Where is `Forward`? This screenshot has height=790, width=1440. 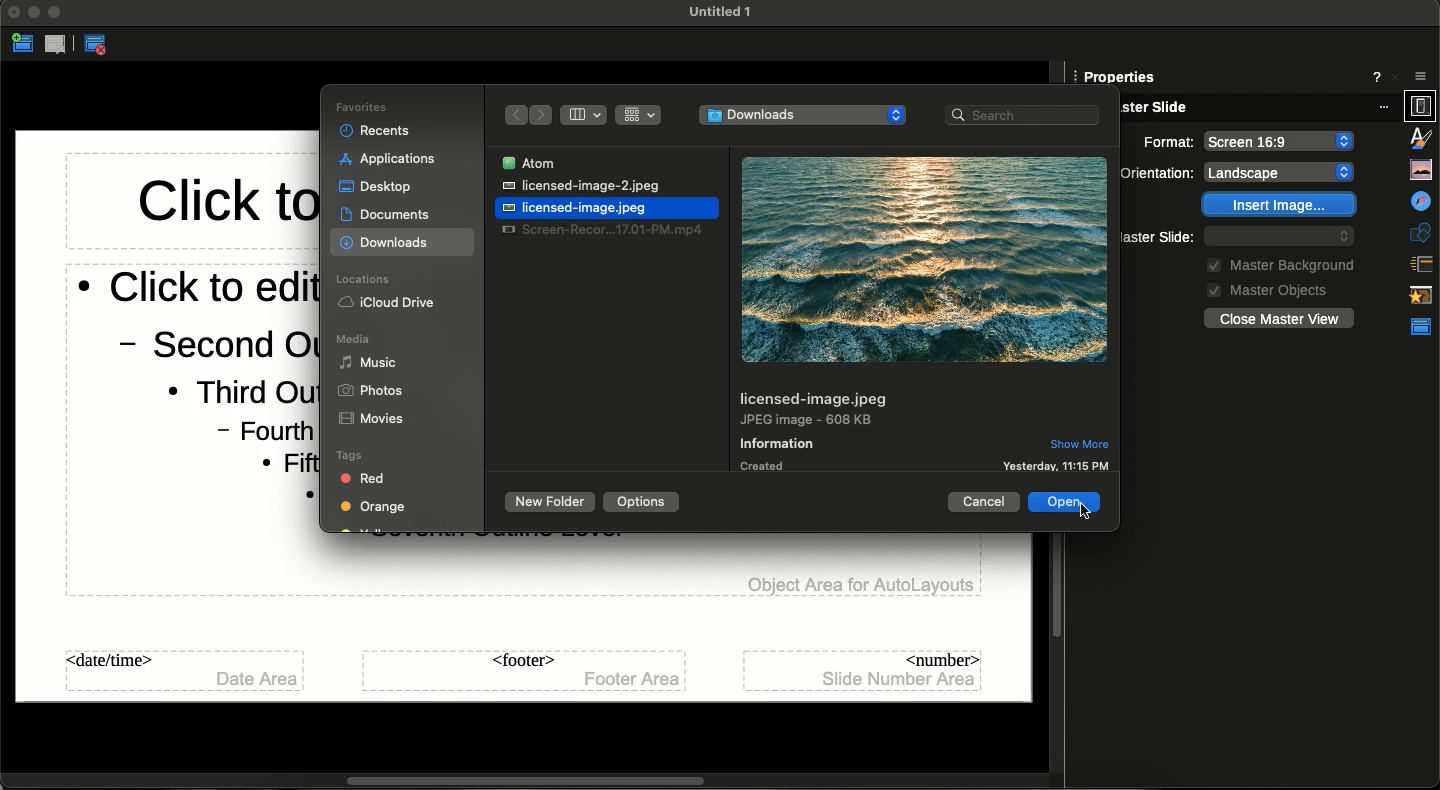
Forward is located at coordinates (540, 114).